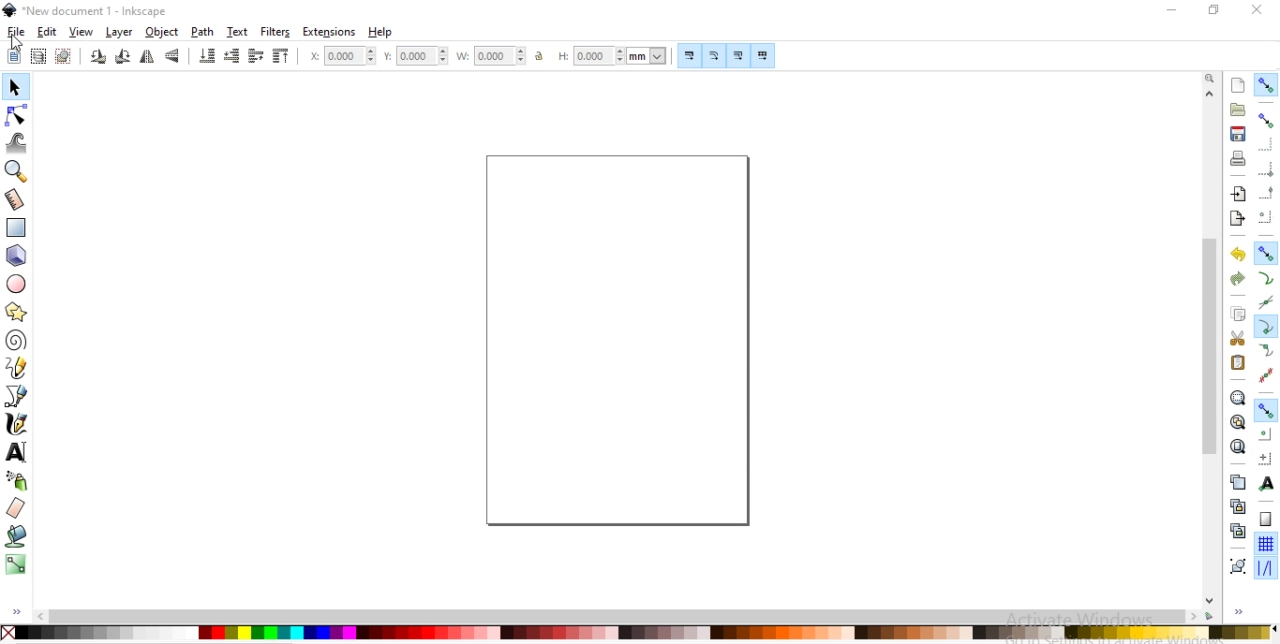 The height and width of the screenshot is (644, 1280). What do you see at coordinates (34, 55) in the screenshot?
I see `select all objects in all visible and unlocked layer` at bounding box center [34, 55].